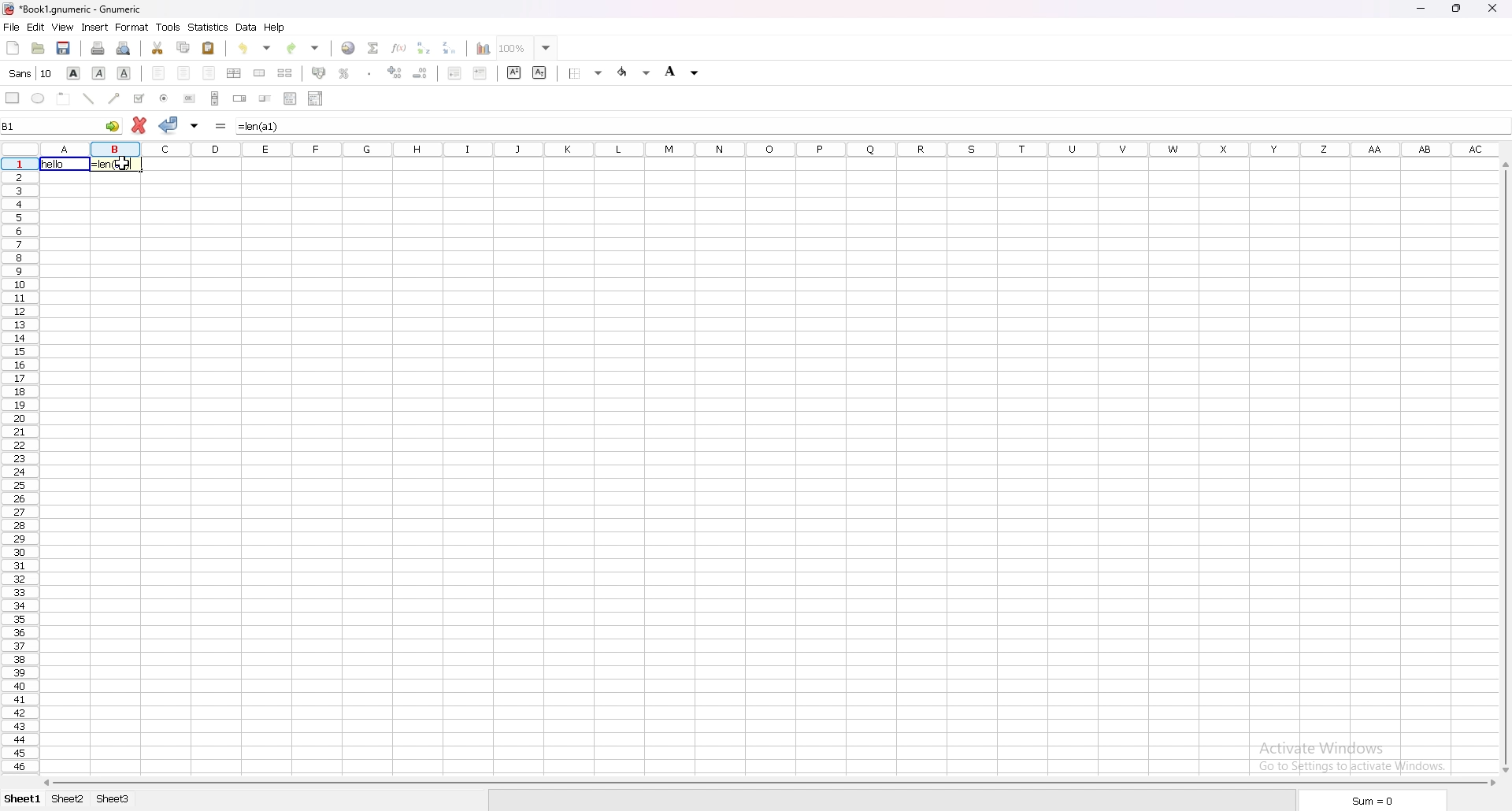 Image resolution: width=1512 pixels, height=811 pixels. I want to click on arrow object, so click(114, 98).